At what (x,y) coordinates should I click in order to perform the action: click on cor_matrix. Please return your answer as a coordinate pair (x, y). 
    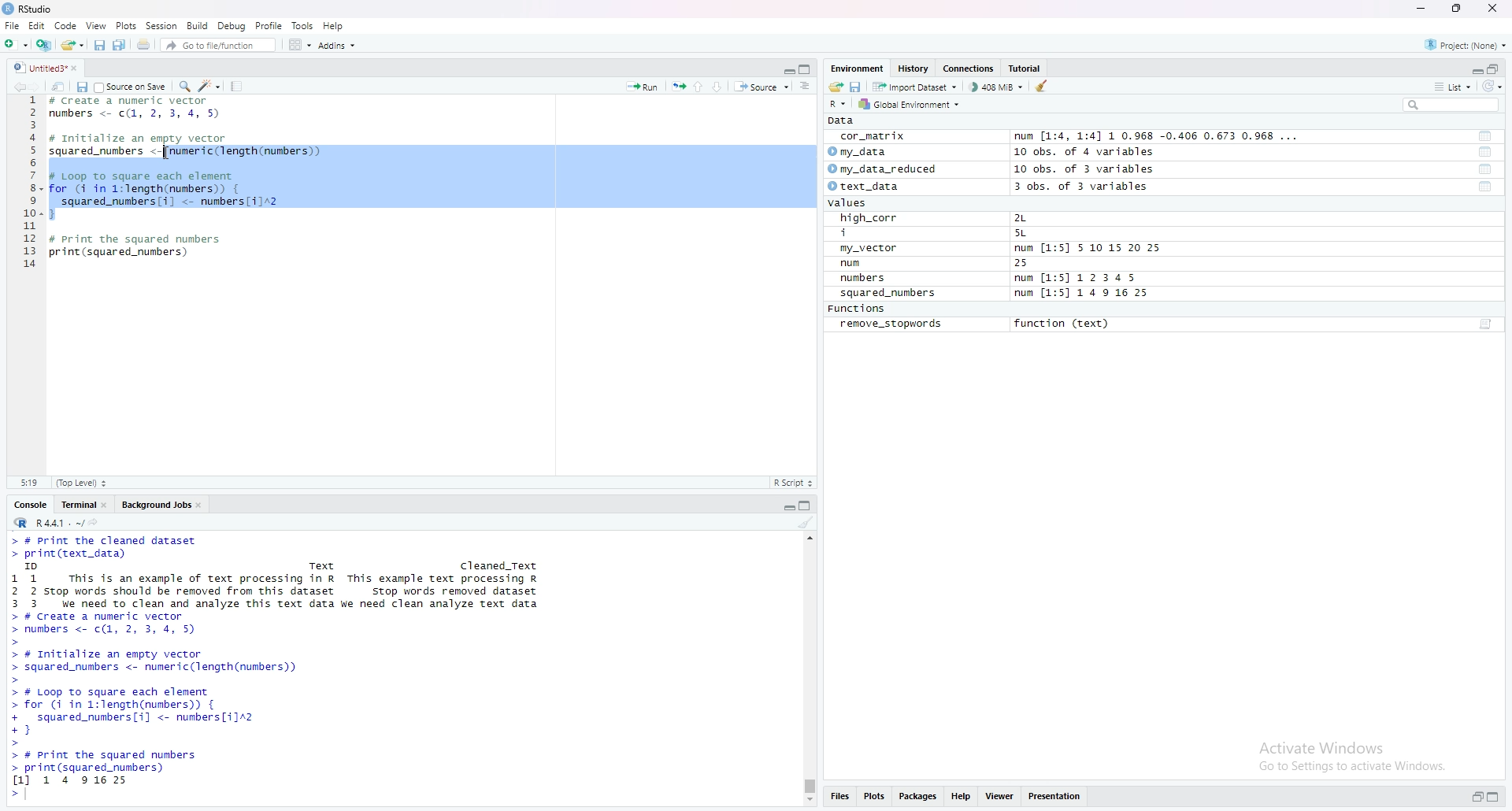
    Looking at the image, I should click on (871, 137).